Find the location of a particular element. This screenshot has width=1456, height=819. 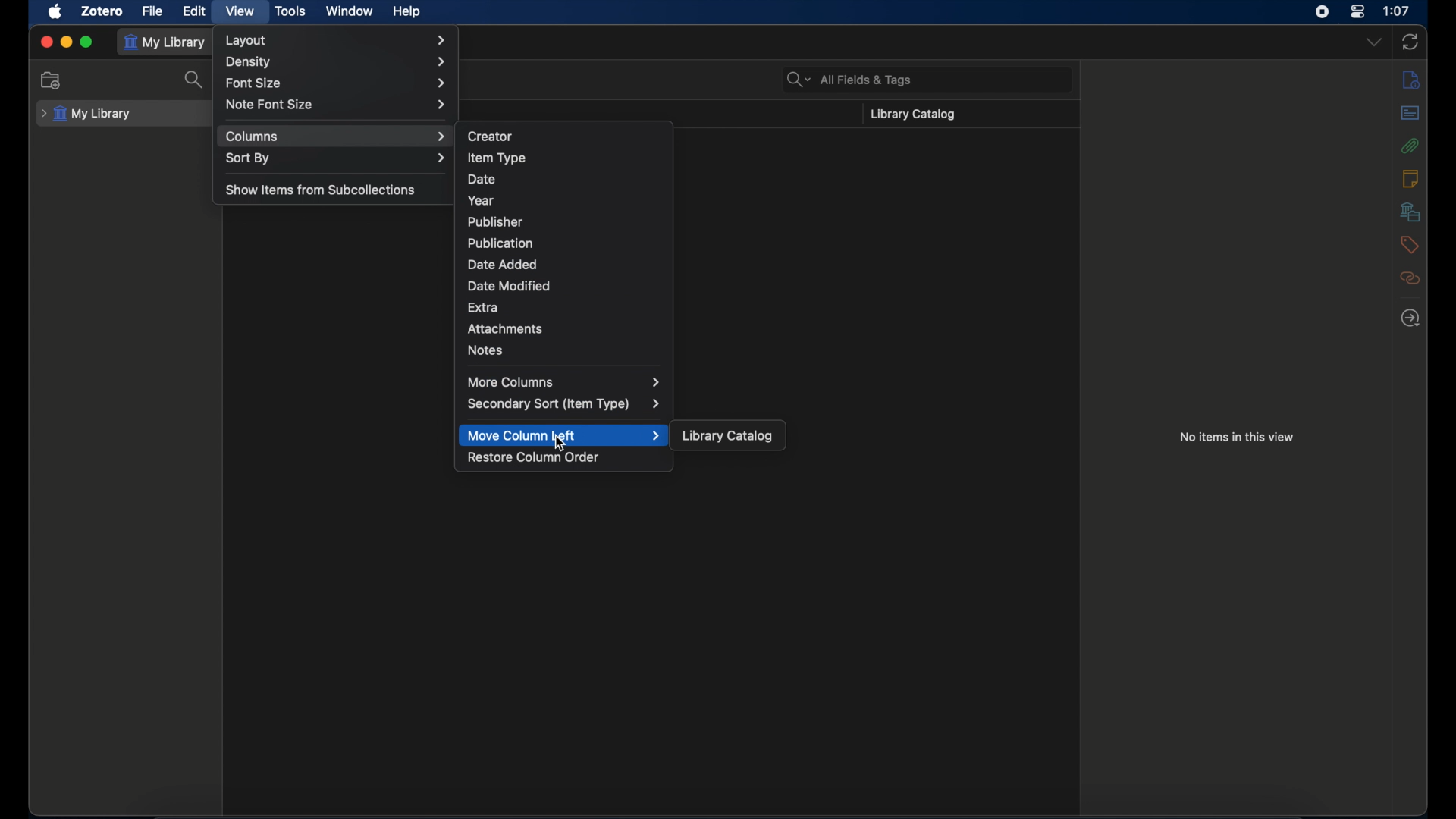

file is located at coordinates (153, 11).